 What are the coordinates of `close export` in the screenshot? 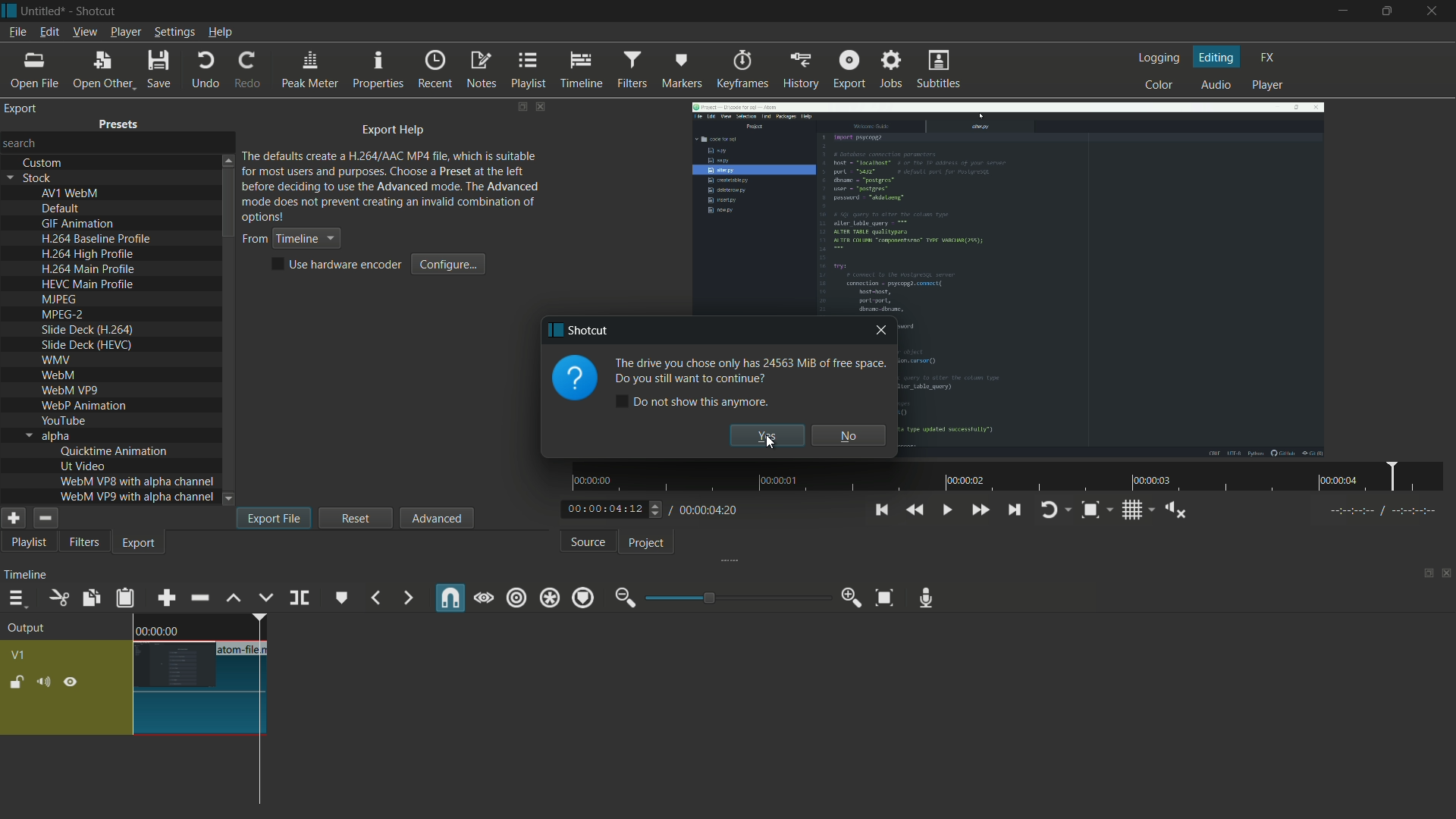 It's located at (541, 107).